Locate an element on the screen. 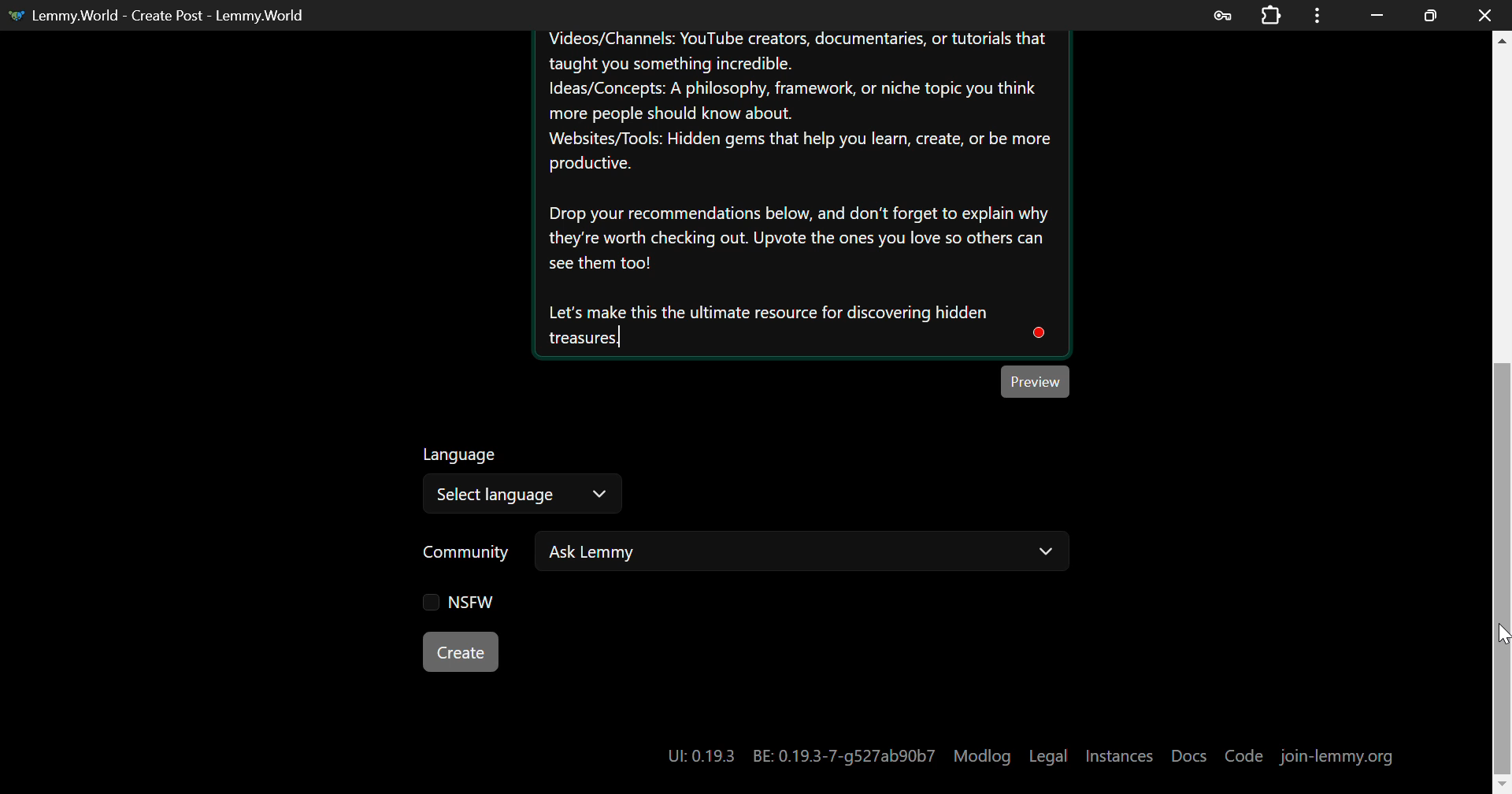  Restore Down is located at coordinates (1378, 15).